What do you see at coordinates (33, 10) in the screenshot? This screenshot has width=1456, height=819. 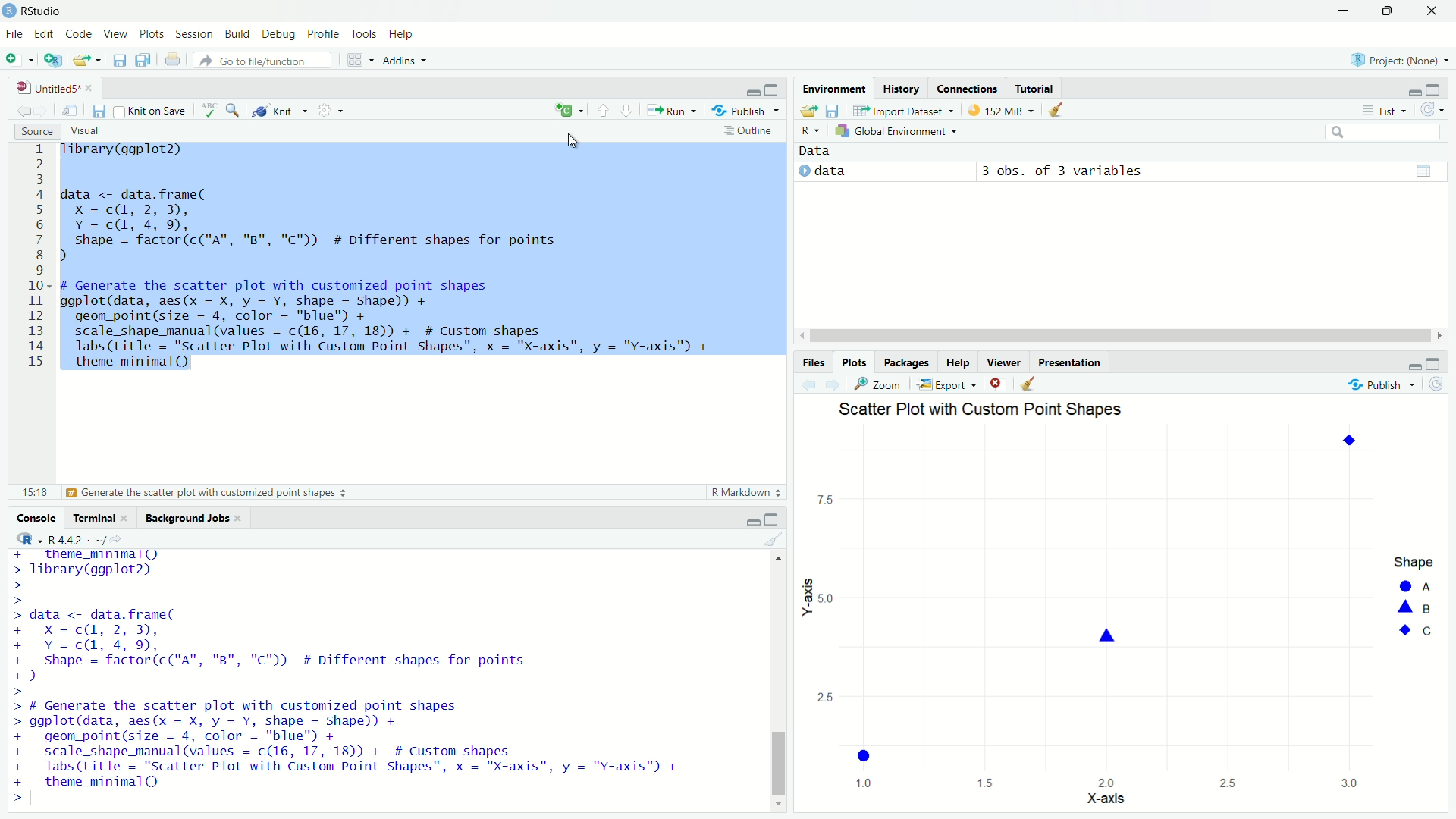 I see `RStudio` at bounding box center [33, 10].